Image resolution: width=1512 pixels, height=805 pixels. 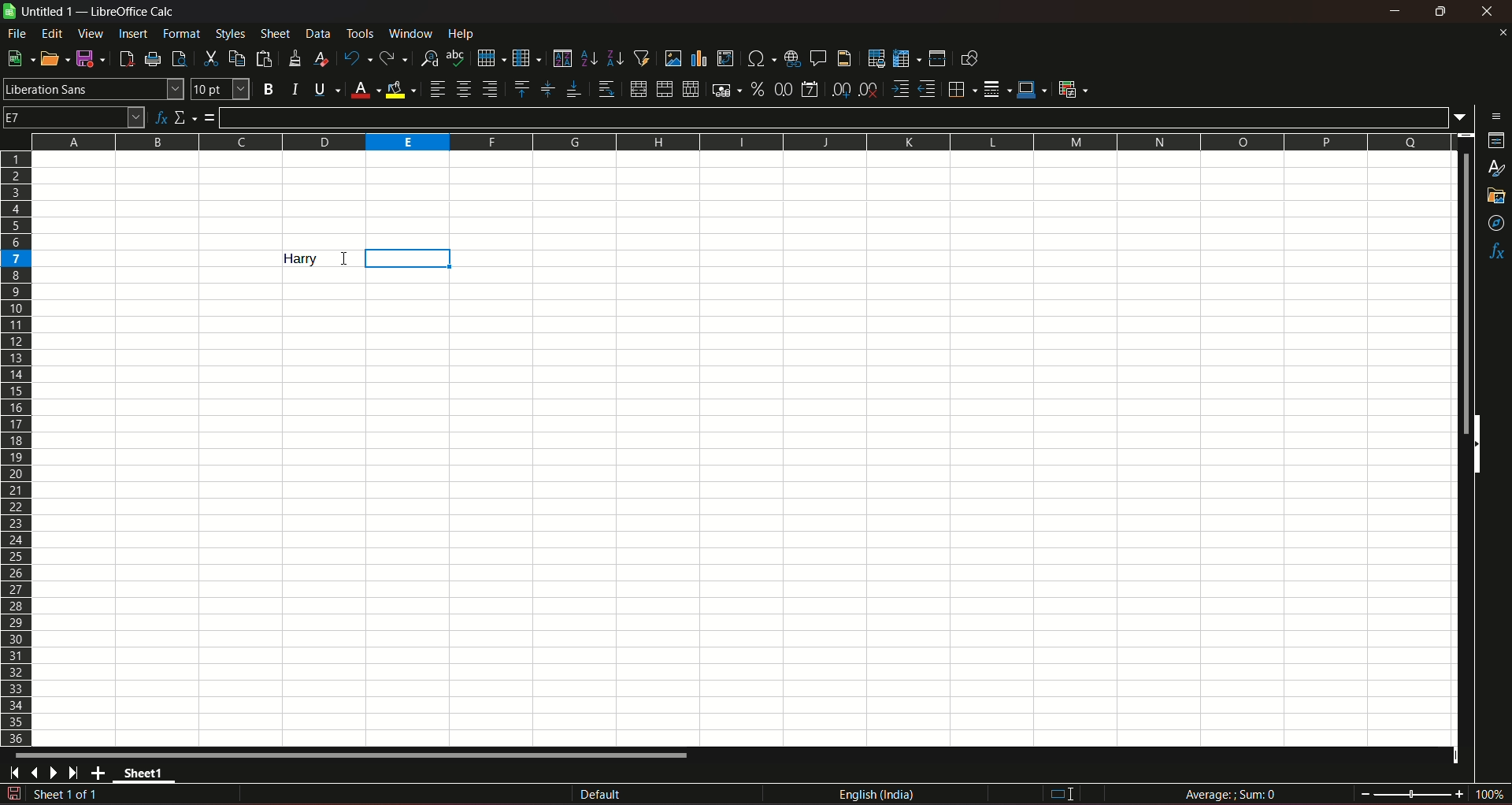 I want to click on navigator, so click(x=1497, y=224).